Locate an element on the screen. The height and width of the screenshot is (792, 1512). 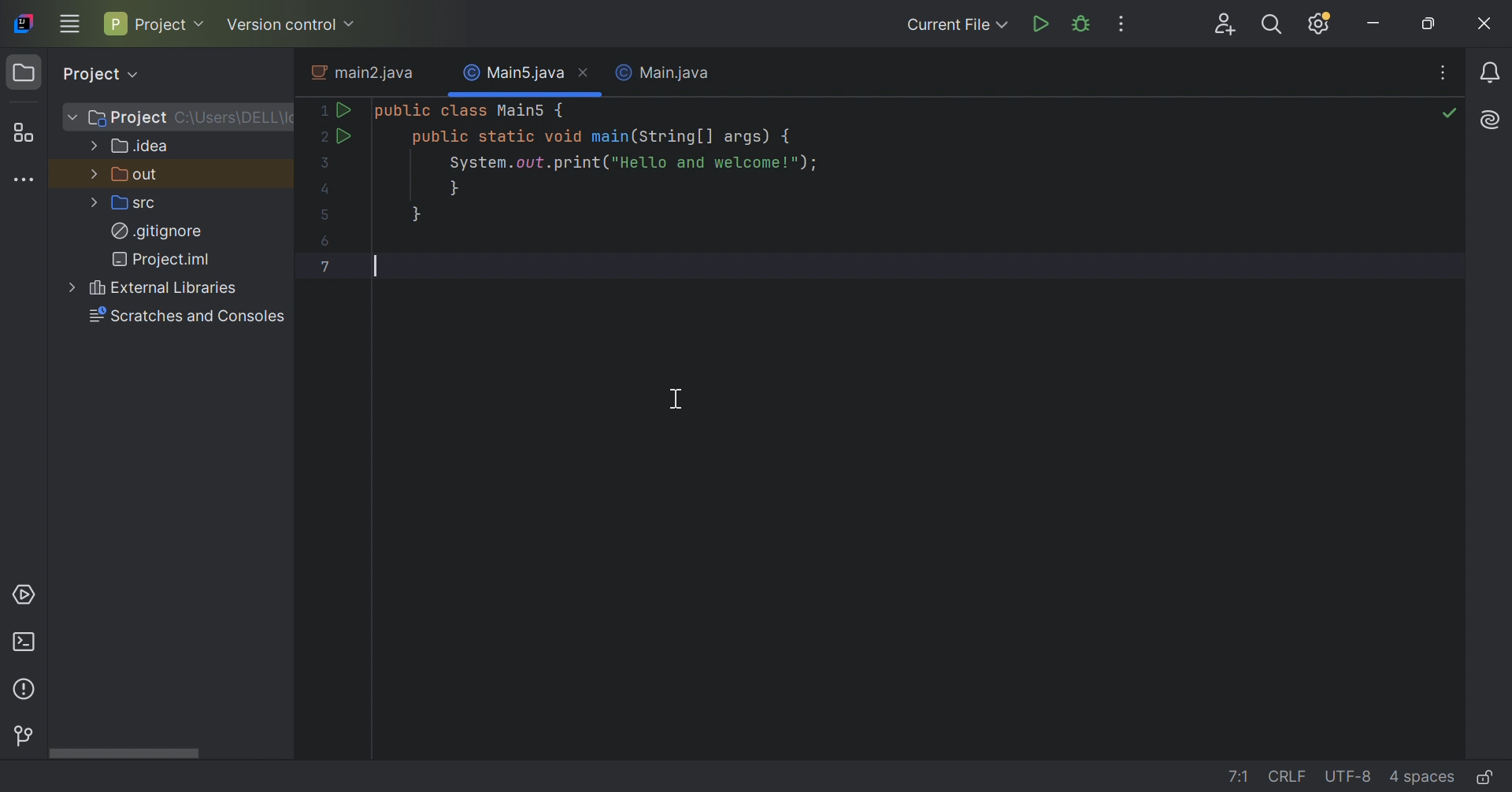
Updates available. IDE and Project Settings. is located at coordinates (1321, 24).